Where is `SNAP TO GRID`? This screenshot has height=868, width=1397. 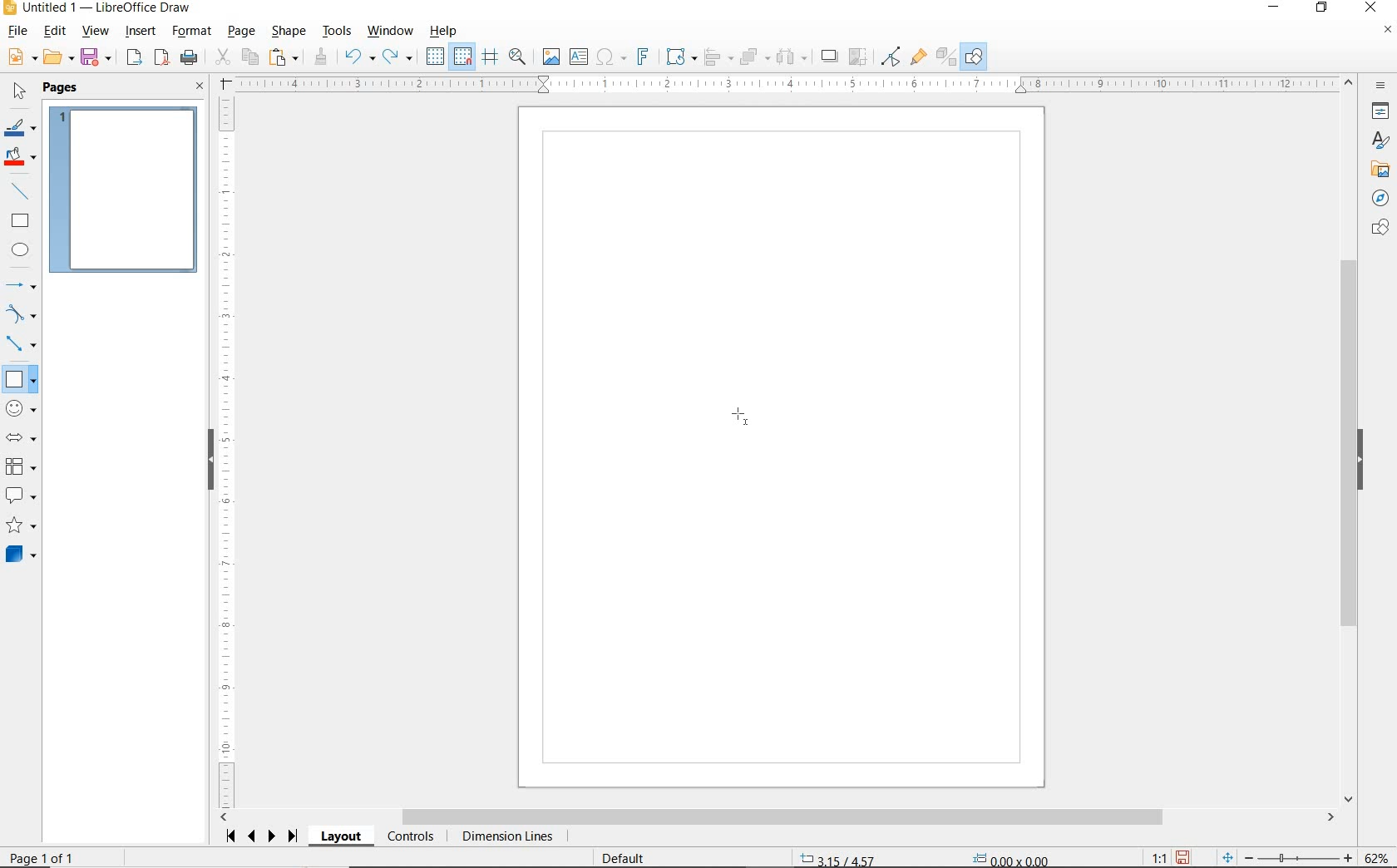
SNAP TO GRID is located at coordinates (463, 57).